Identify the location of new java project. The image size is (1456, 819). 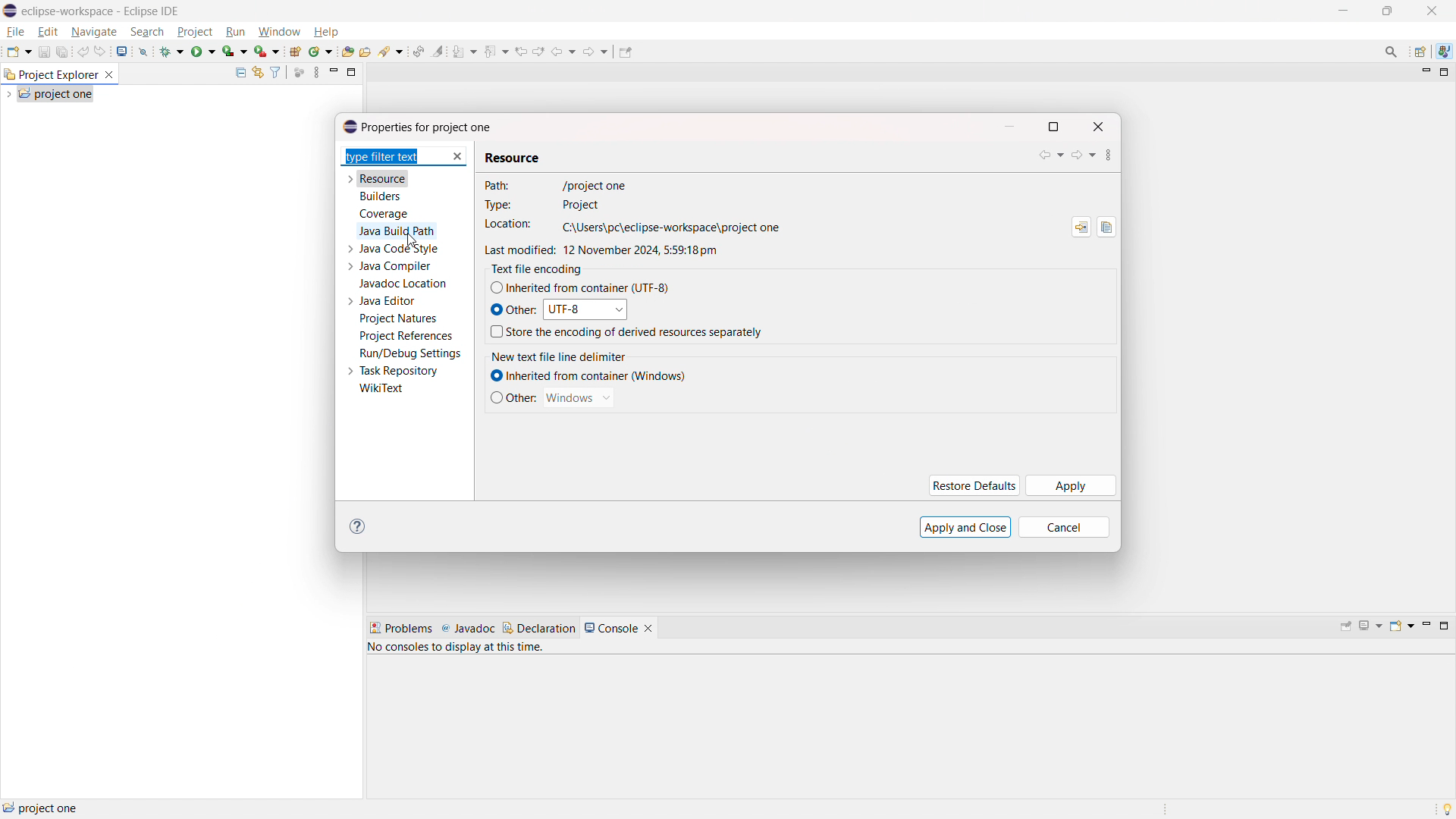
(294, 52).